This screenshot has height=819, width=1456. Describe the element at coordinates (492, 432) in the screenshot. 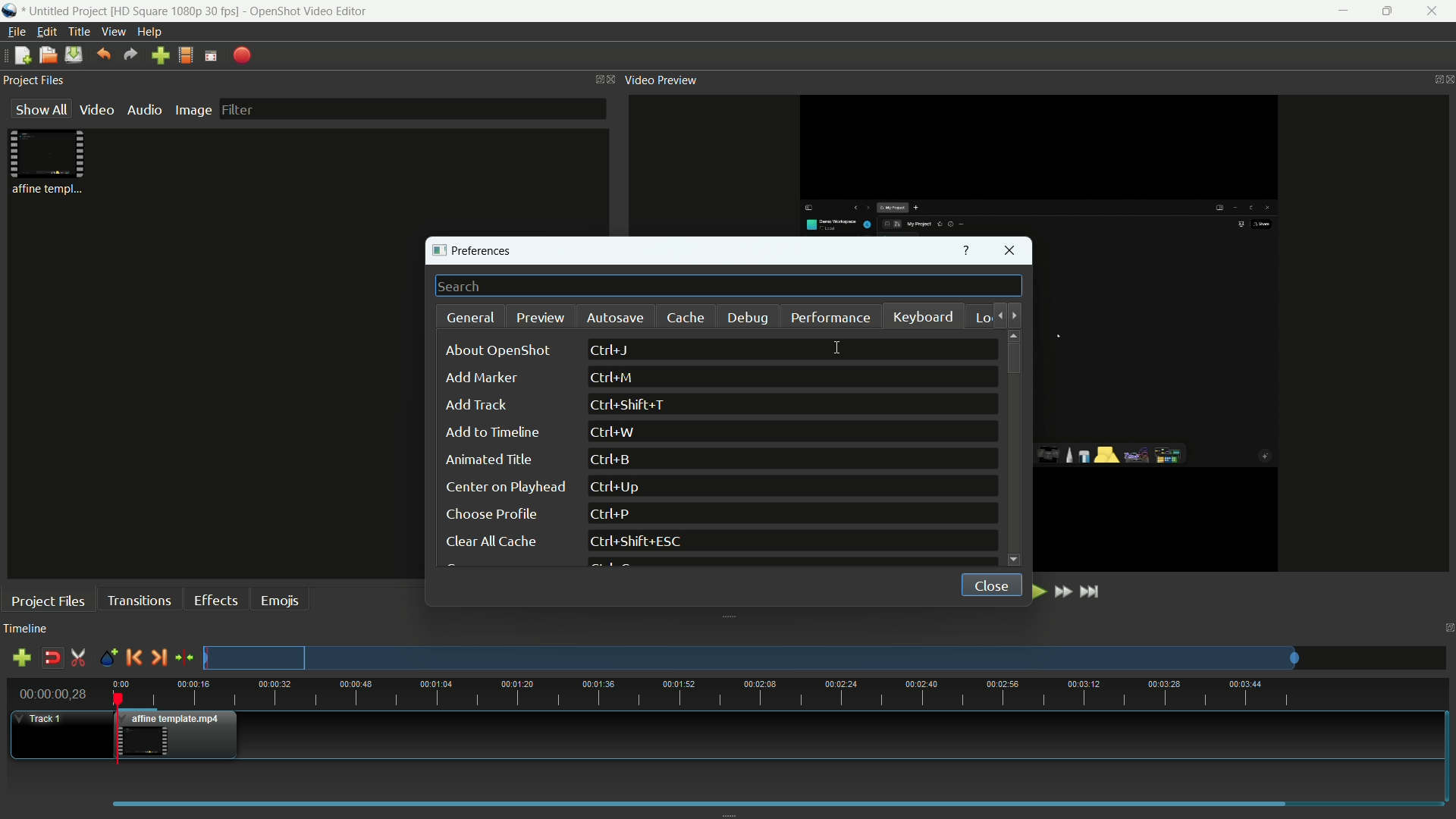

I see `add to timeline` at that location.